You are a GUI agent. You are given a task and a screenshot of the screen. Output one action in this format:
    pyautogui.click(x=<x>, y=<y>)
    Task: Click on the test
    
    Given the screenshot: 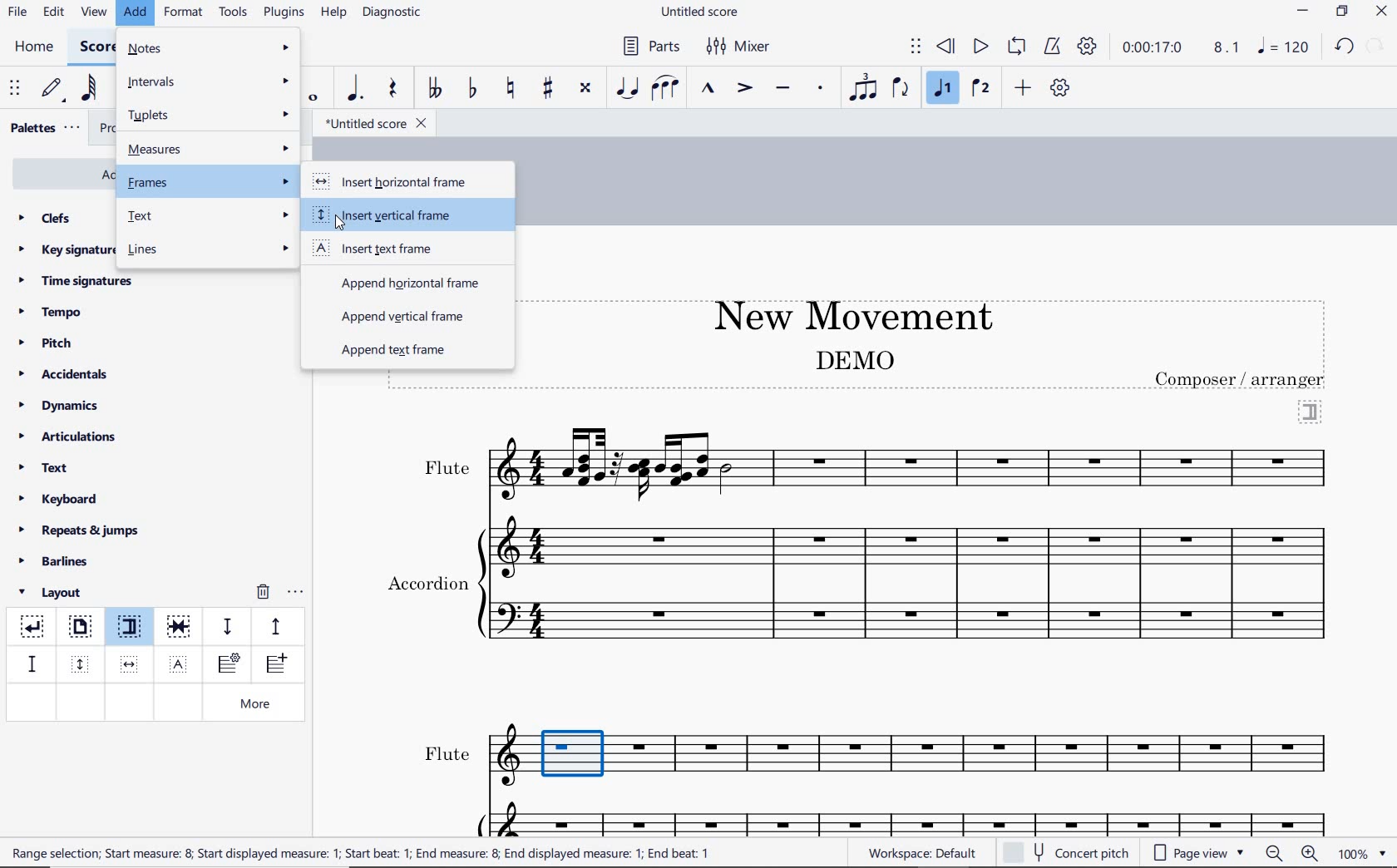 What is the action you would take?
    pyautogui.click(x=210, y=217)
    